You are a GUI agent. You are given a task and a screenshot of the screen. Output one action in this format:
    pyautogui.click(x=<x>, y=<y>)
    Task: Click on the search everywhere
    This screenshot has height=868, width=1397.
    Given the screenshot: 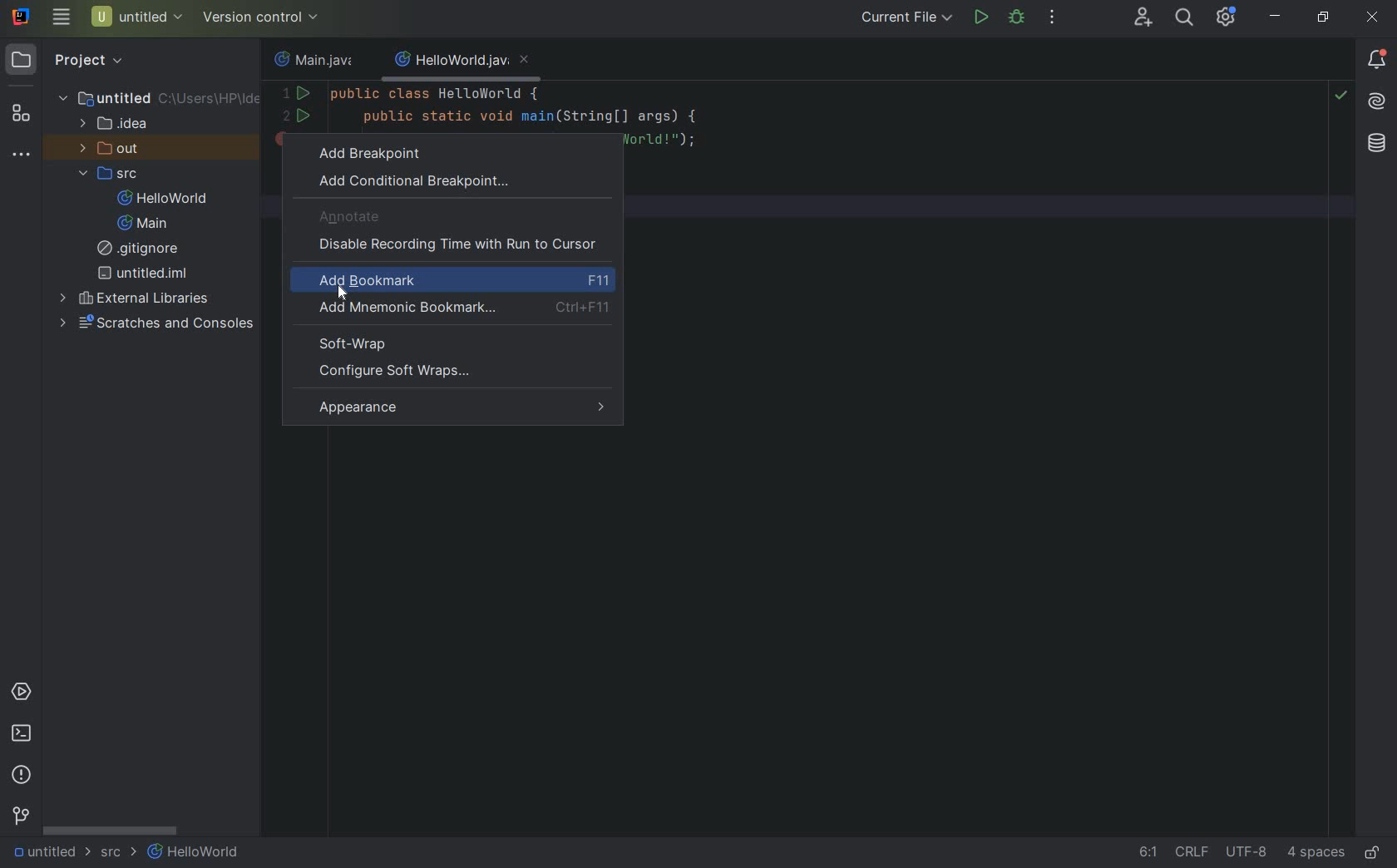 What is the action you would take?
    pyautogui.click(x=1182, y=17)
    